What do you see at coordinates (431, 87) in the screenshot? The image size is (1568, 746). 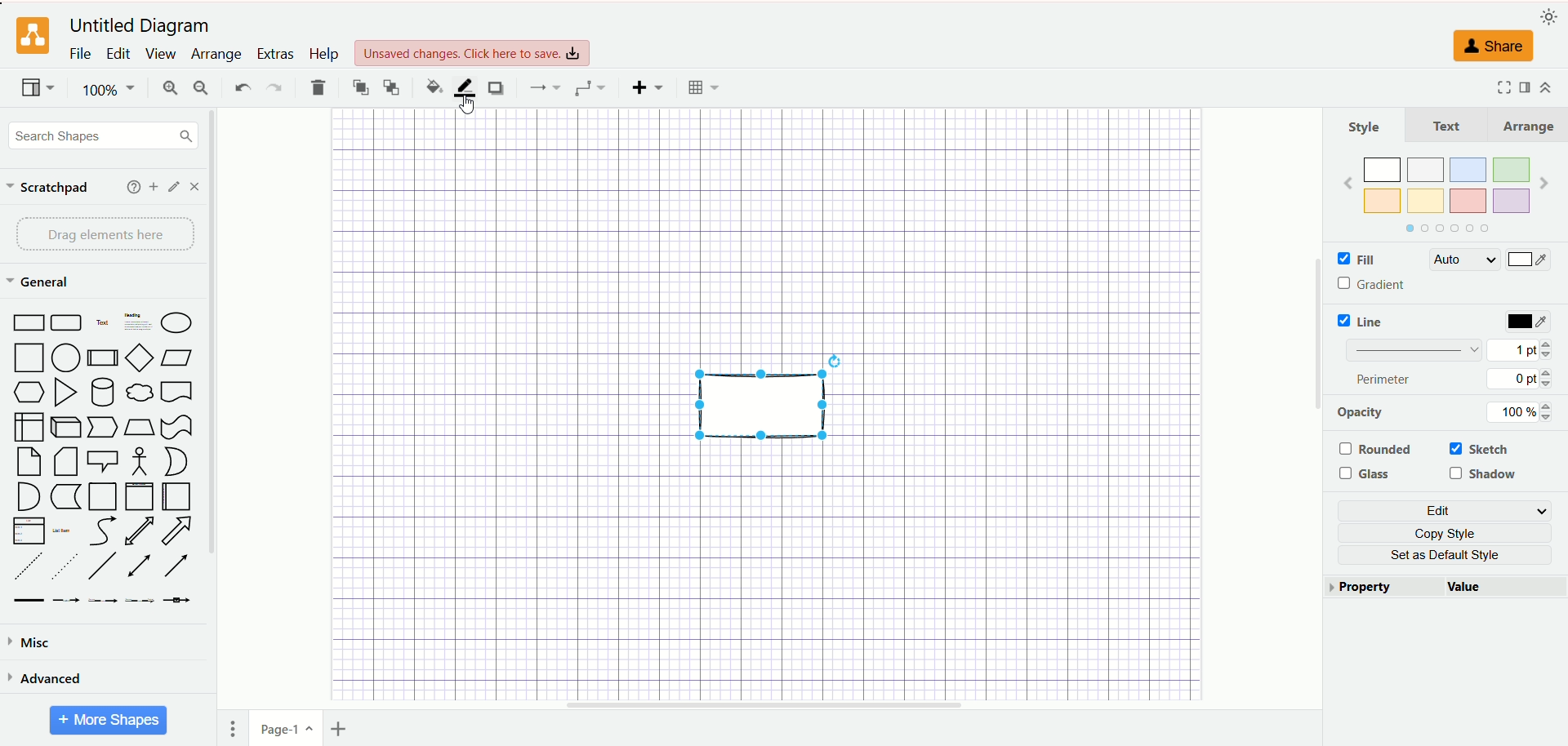 I see `fill color` at bounding box center [431, 87].